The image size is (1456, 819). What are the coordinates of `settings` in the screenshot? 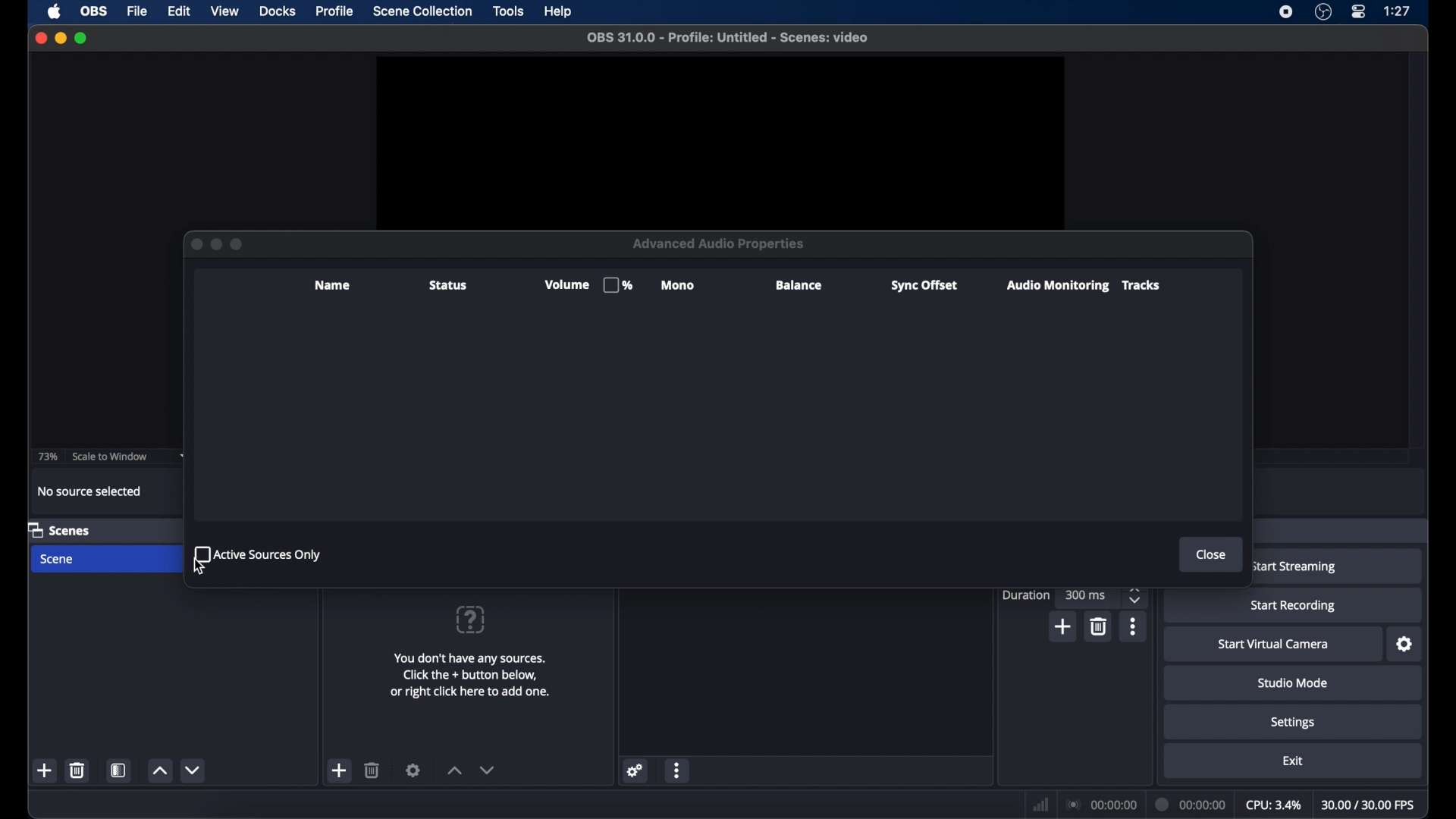 It's located at (1404, 645).